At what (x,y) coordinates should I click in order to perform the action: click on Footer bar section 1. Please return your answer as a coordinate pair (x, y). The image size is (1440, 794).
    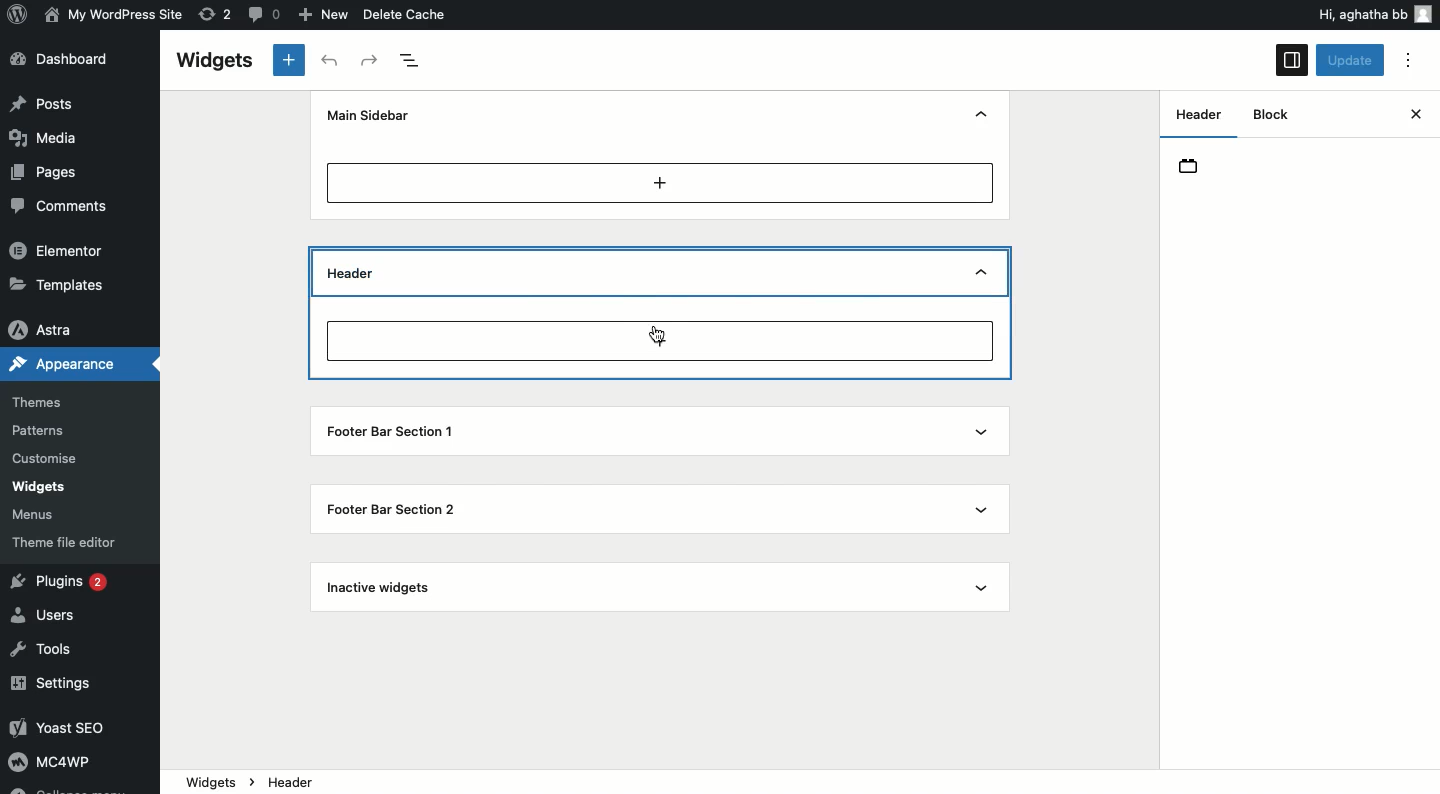
    Looking at the image, I should click on (398, 429).